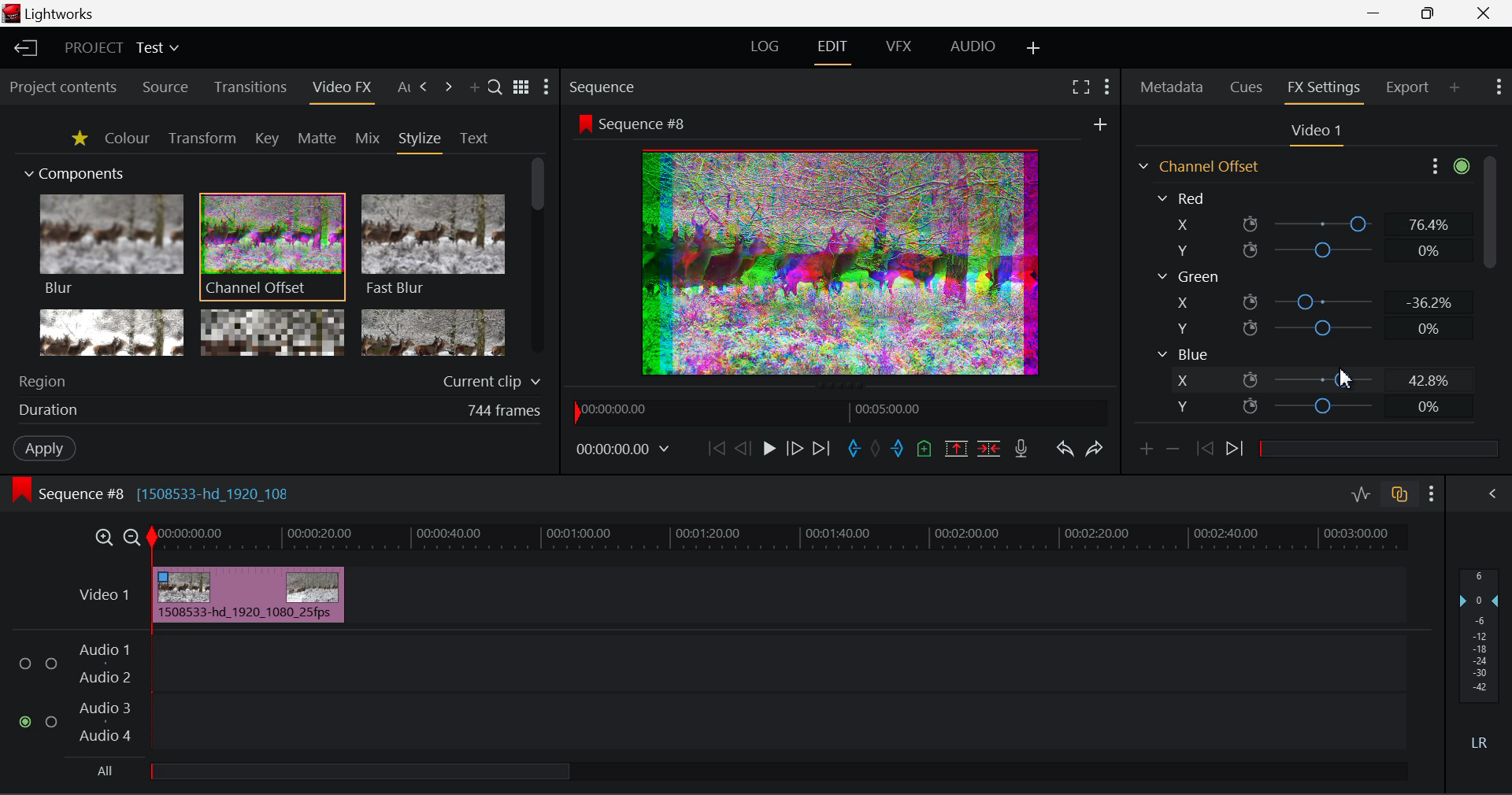 The width and height of the screenshot is (1512, 795). I want to click on Red X, so click(1309, 224).